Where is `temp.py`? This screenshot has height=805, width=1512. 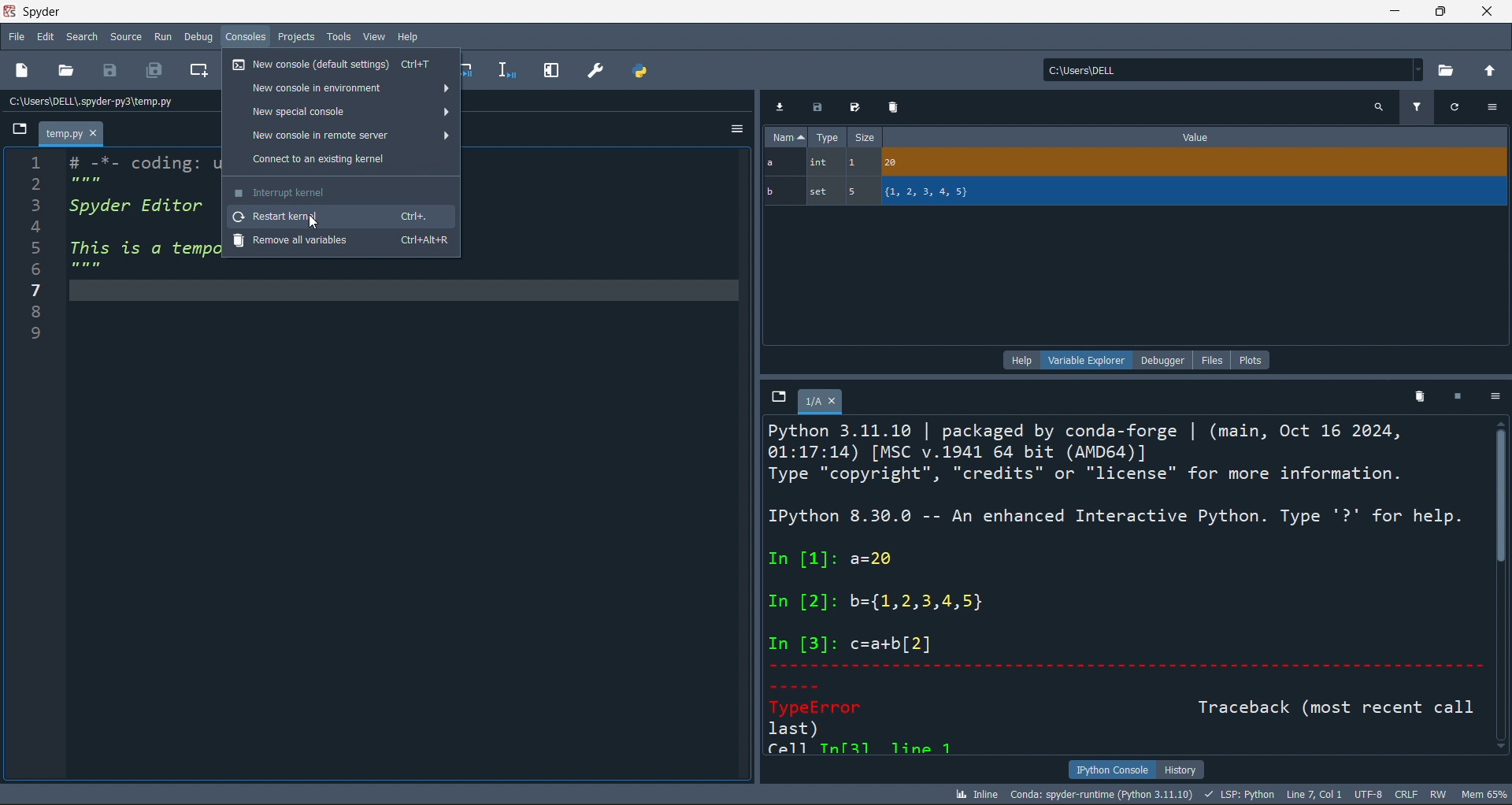
temp.py is located at coordinates (71, 132).